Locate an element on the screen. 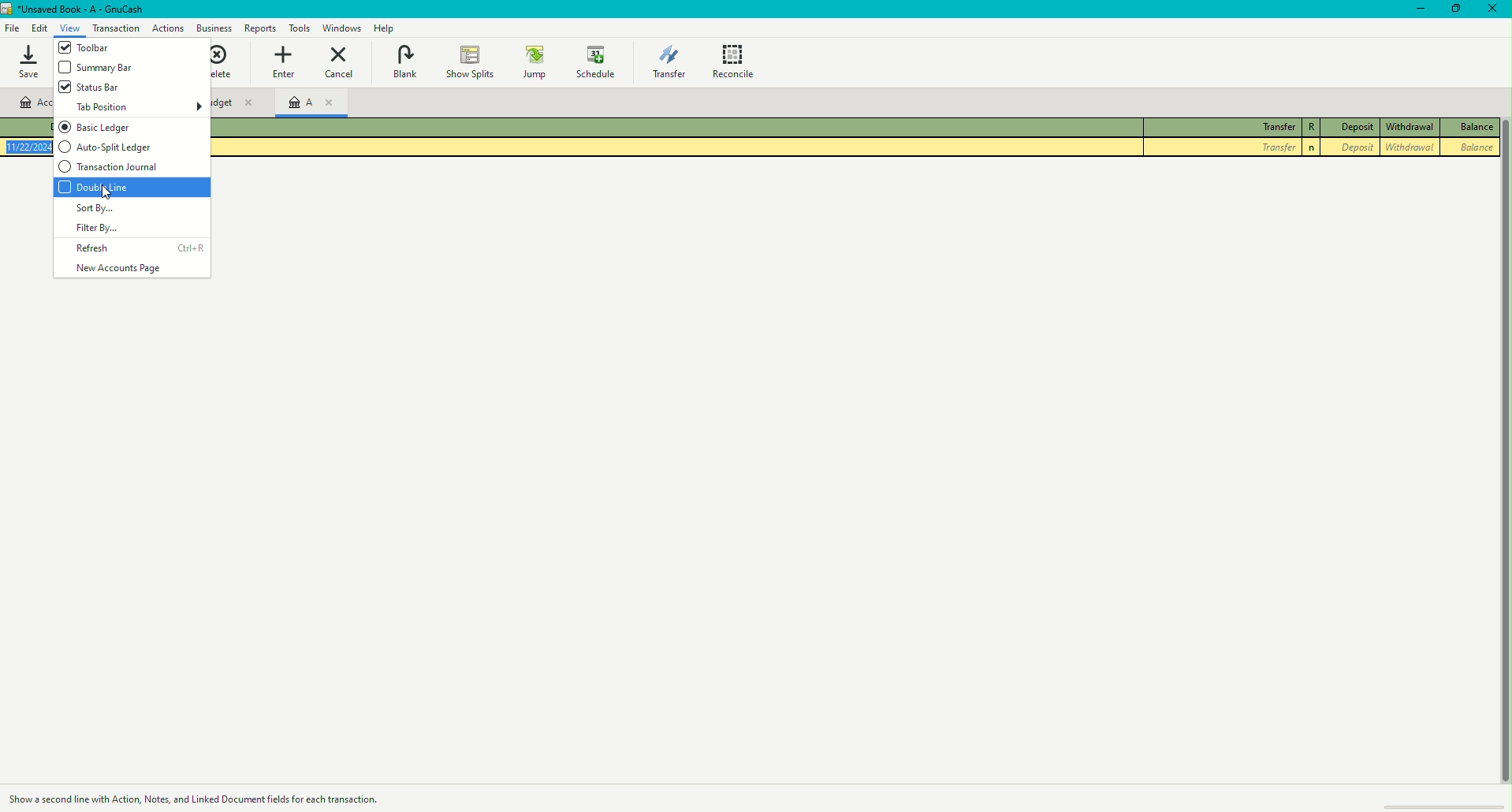  Restore is located at coordinates (1454, 9).